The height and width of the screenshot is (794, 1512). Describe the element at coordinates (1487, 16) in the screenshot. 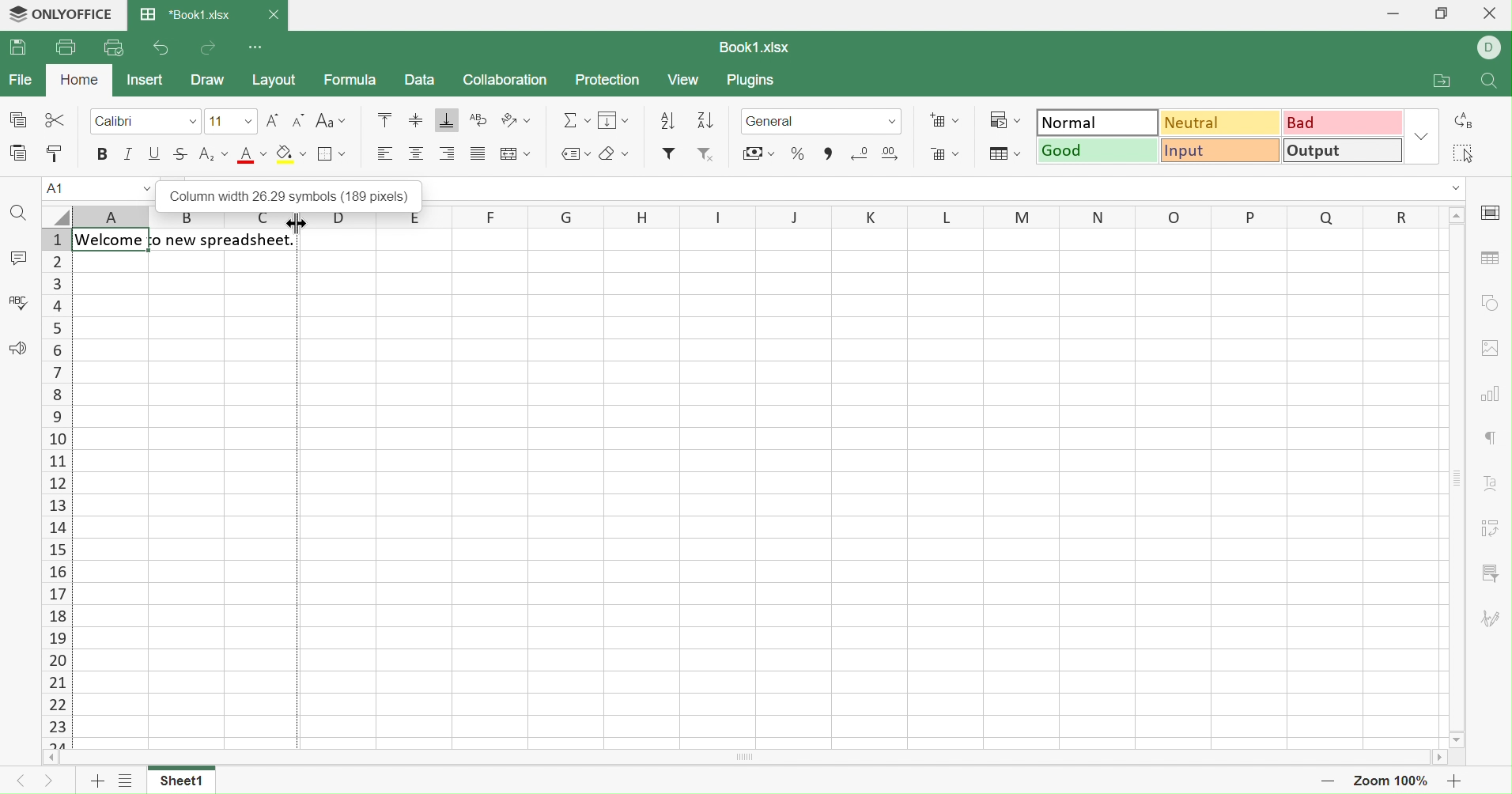

I see `Close` at that location.